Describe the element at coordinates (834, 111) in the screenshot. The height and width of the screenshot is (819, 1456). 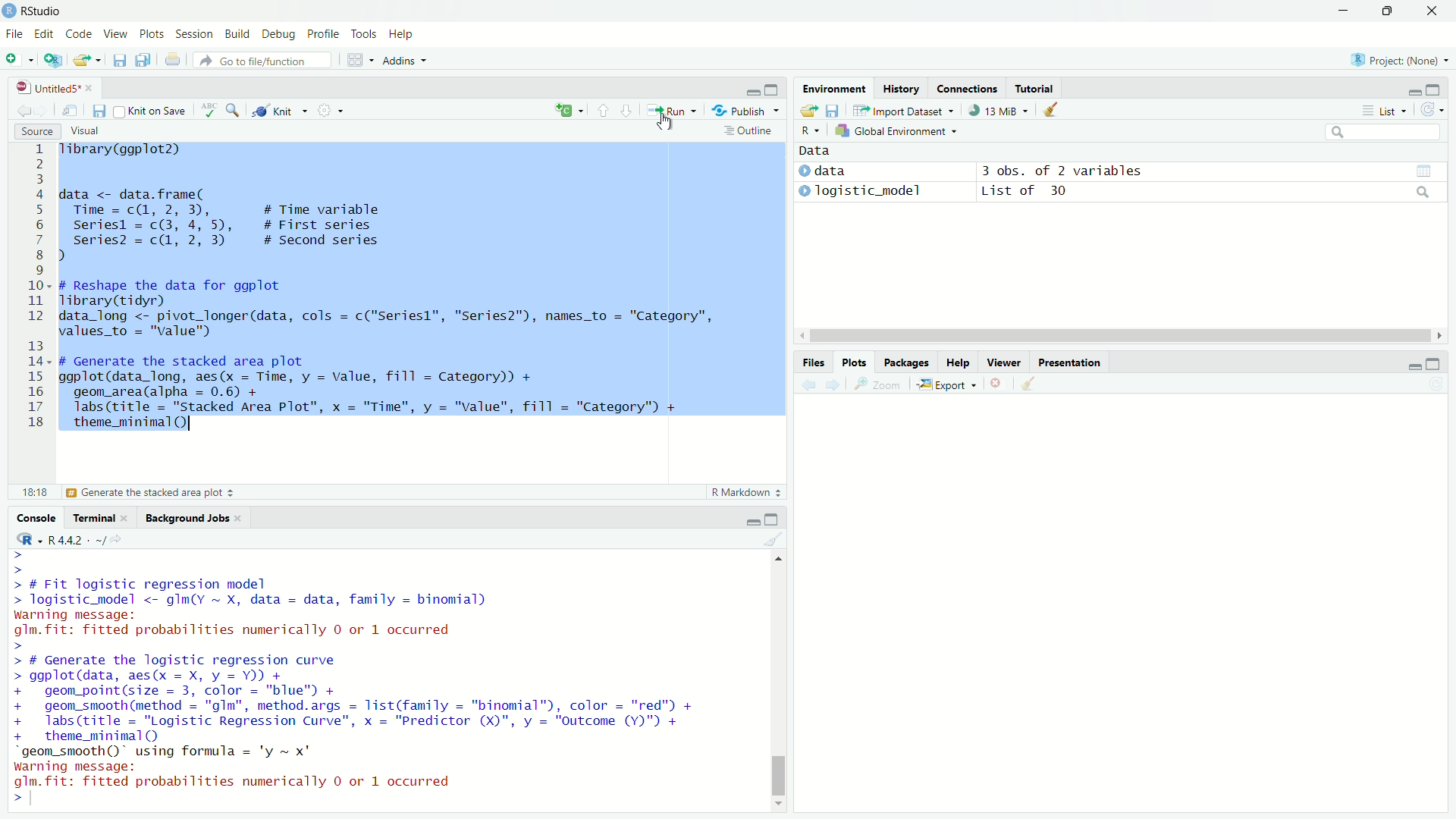
I see `files` at that location.